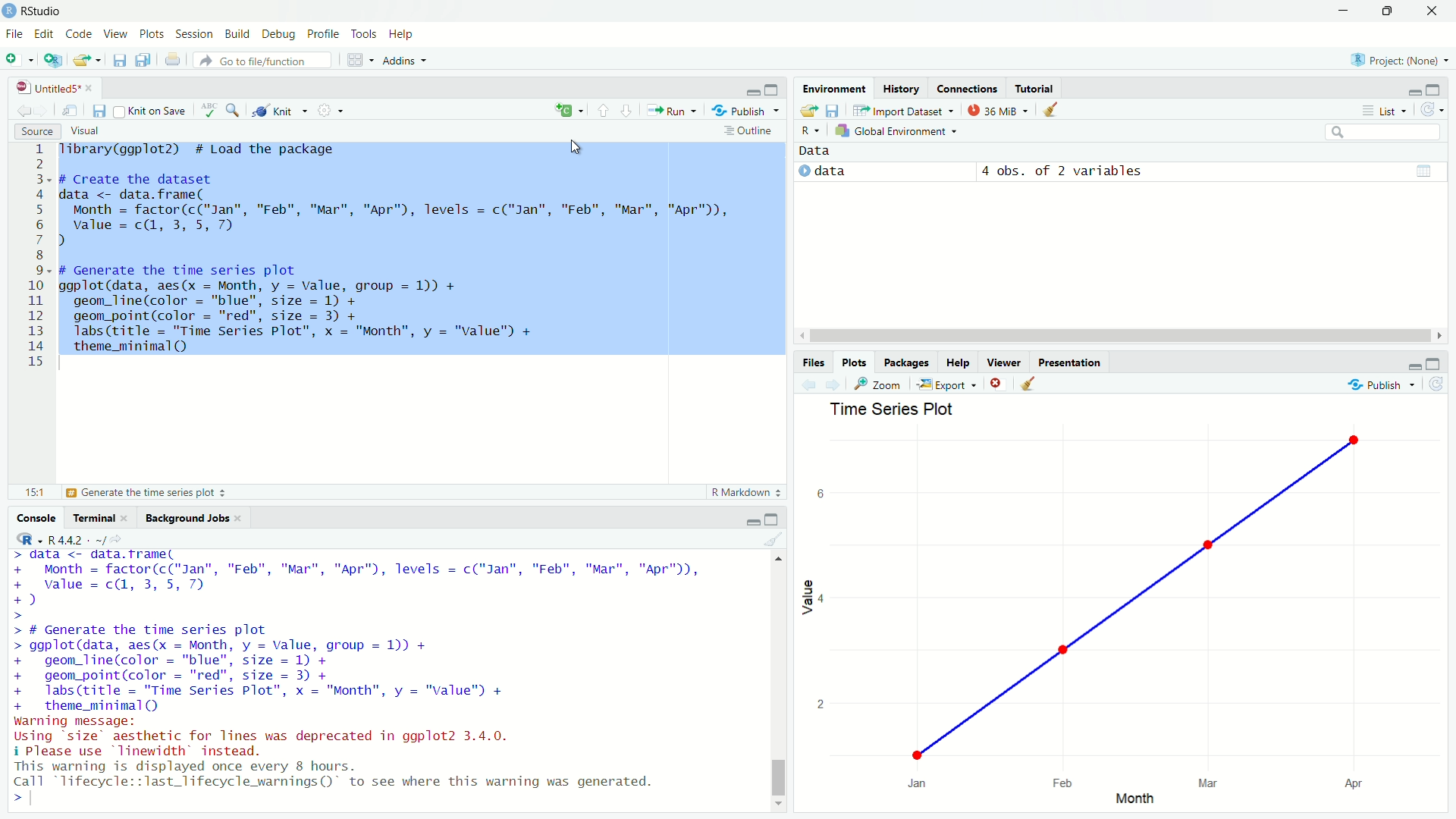 The image size is (1456, 819). Describe the element at coordinates (578, 146) in the screenshot. I see `cursor` at that location.